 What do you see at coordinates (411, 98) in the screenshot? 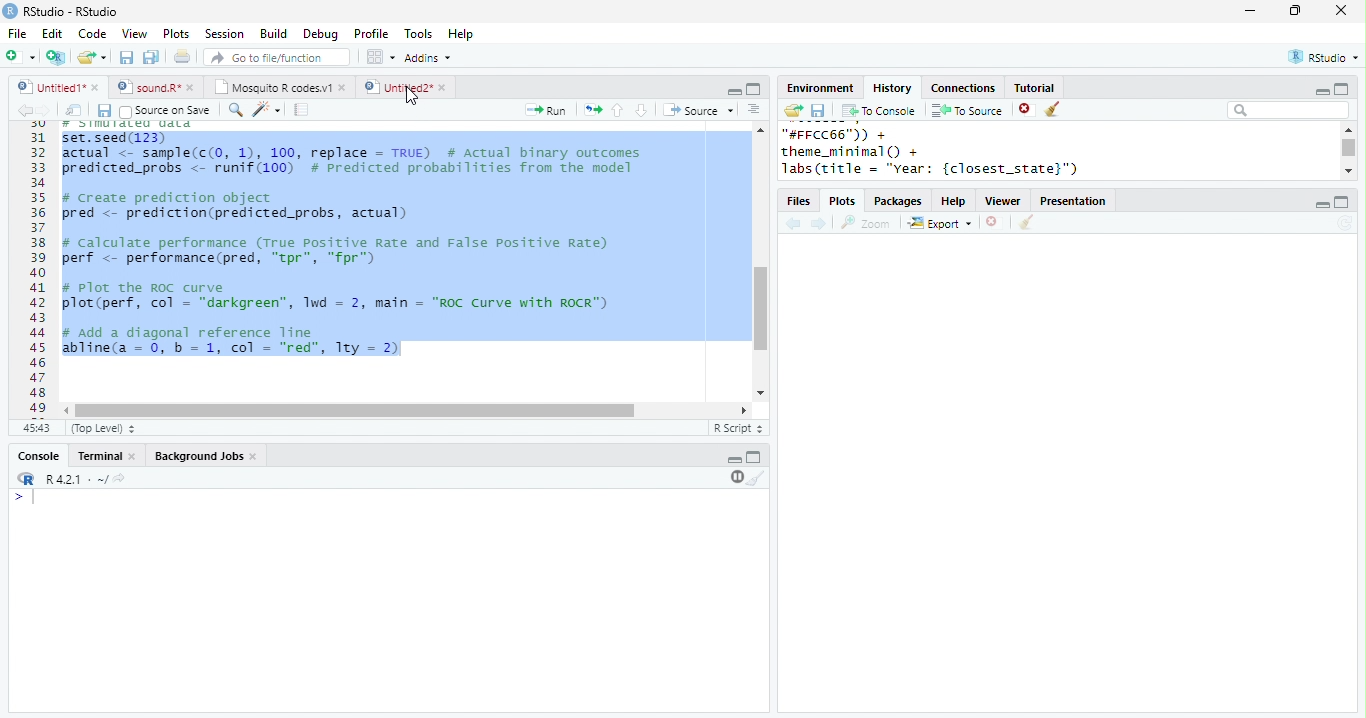
I see `cursor` at bounding box center [411, 98].